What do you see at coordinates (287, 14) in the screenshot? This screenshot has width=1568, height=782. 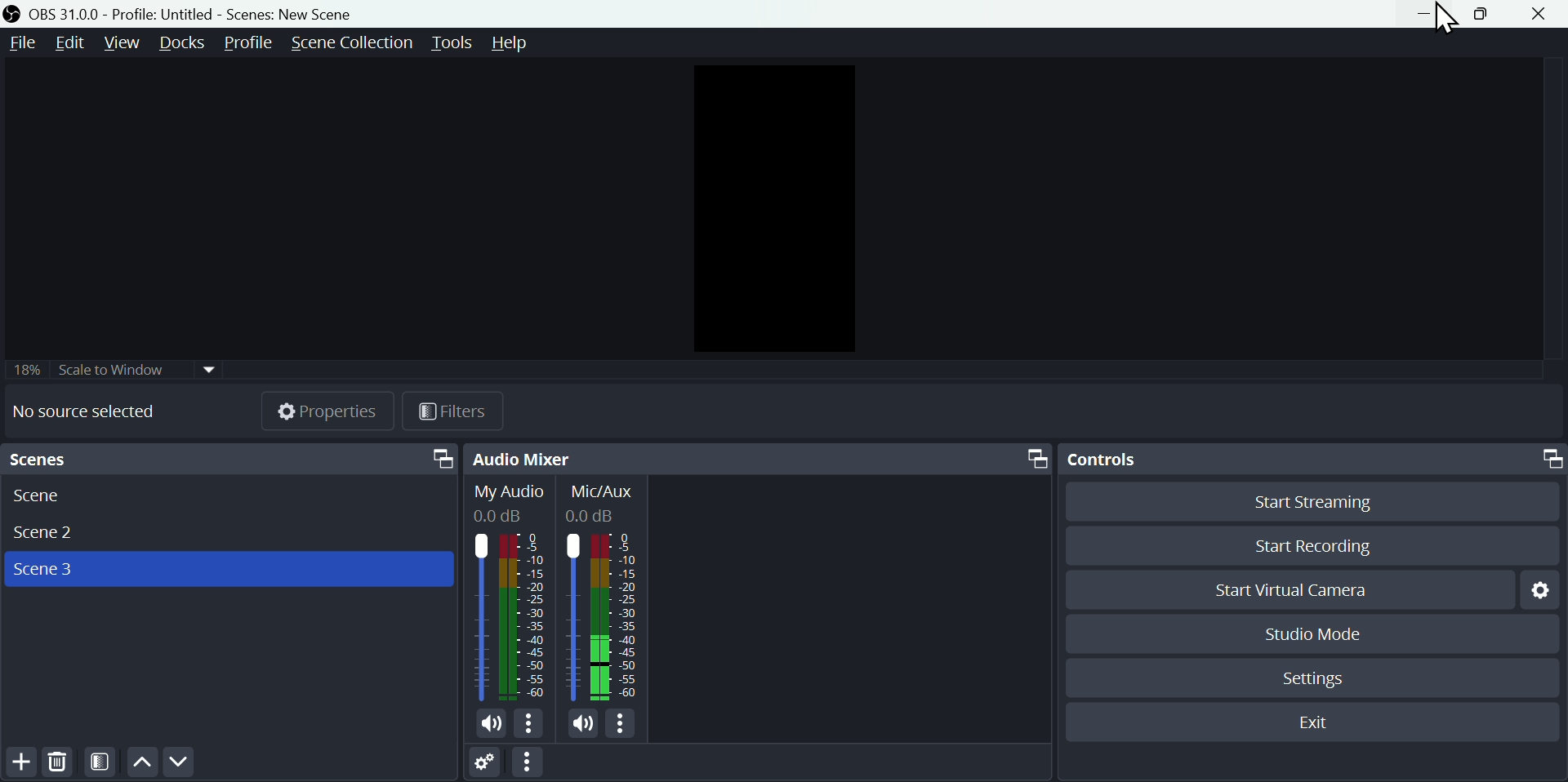 I see `Scenes Title` at bounding box center [287, 14].